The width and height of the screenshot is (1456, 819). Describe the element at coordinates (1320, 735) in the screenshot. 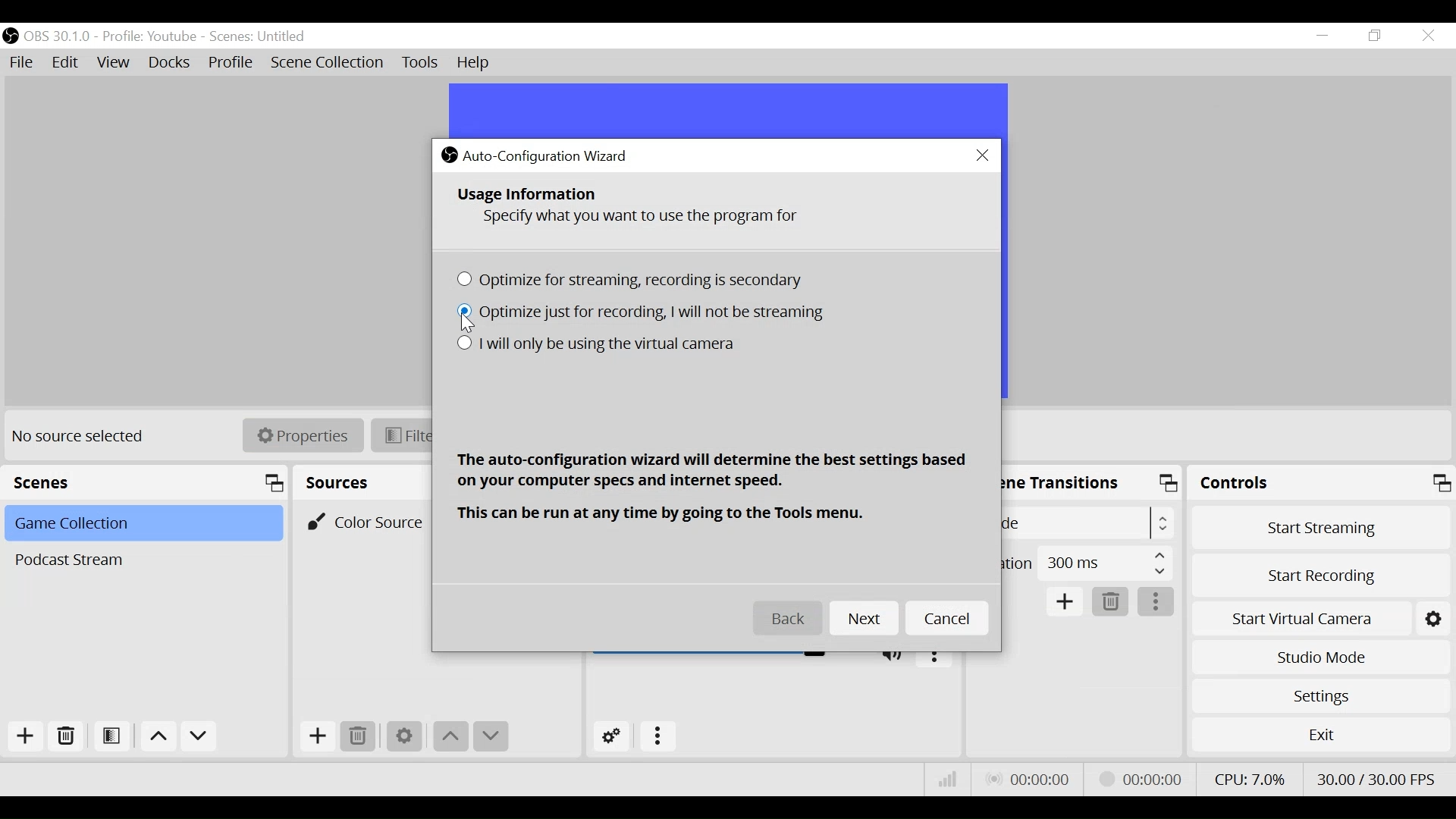

I see `Exit` at that location.